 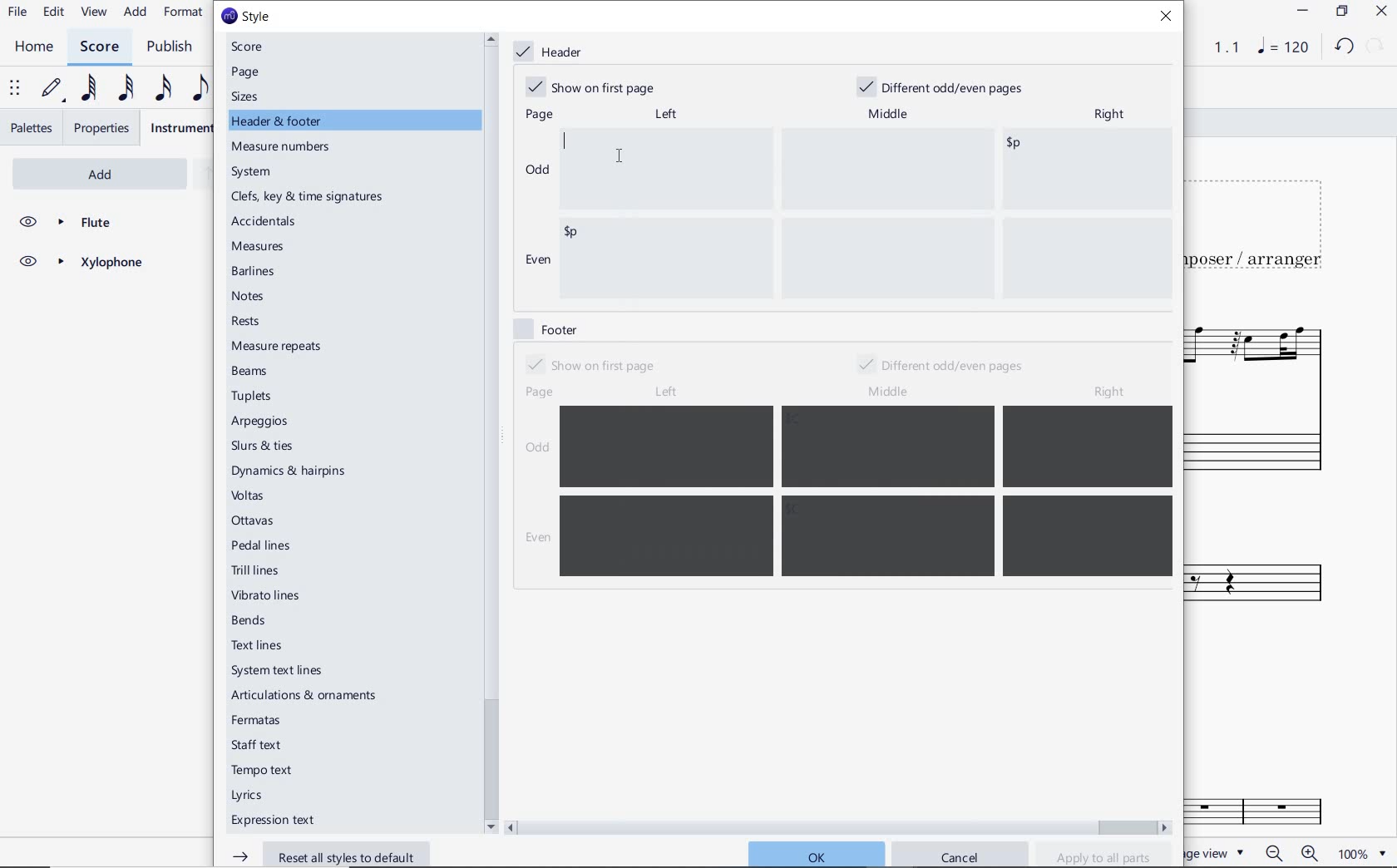 What do you see at coordinates (264, 772) in the screenshot?
I see `tempo text` at bounding box center [264, 772].